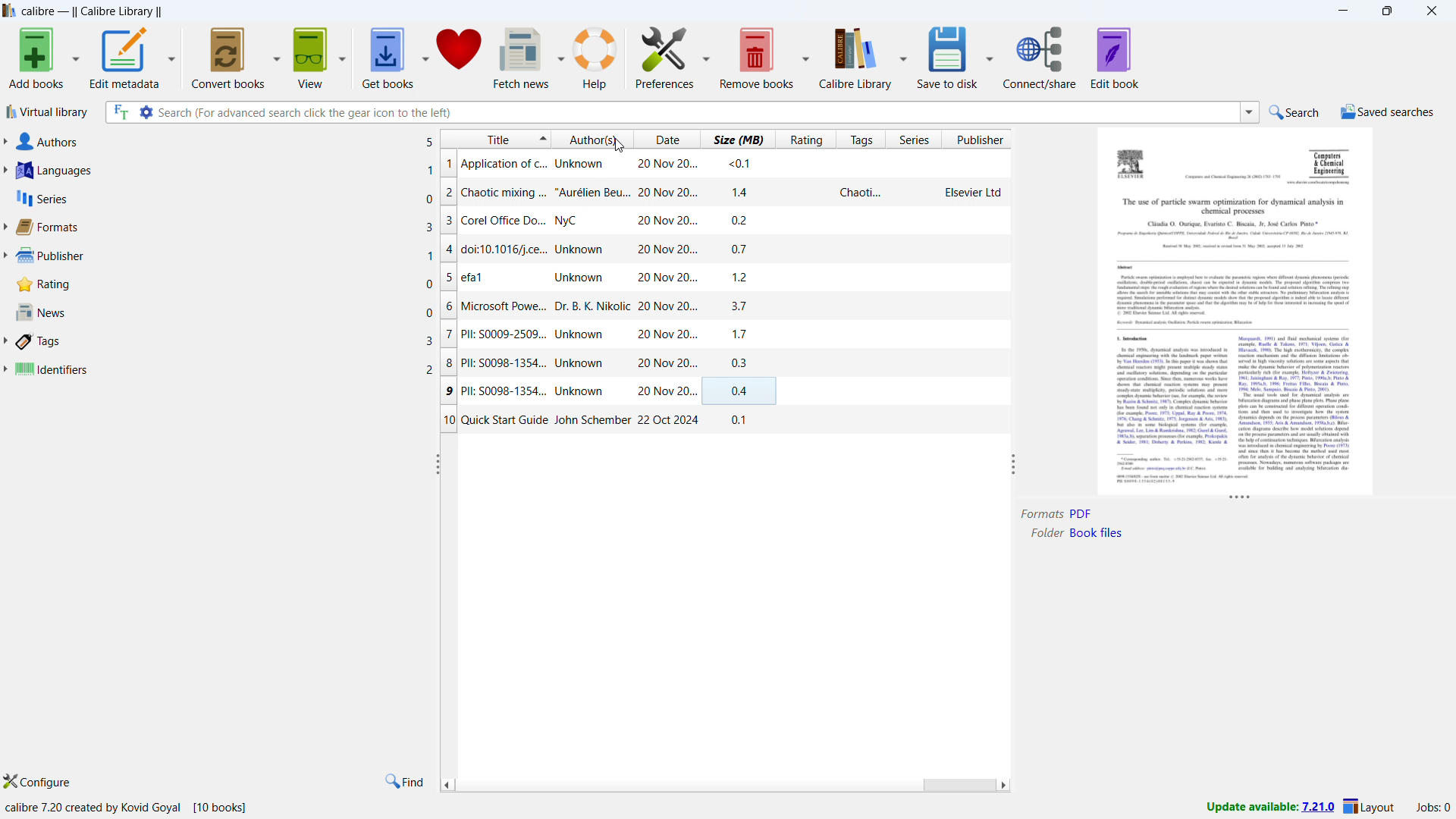 The image size is (1456, 819). What do you see at coordinates (447, 196) in the screenshot?
I see `2` at bounding box center [447, 196].